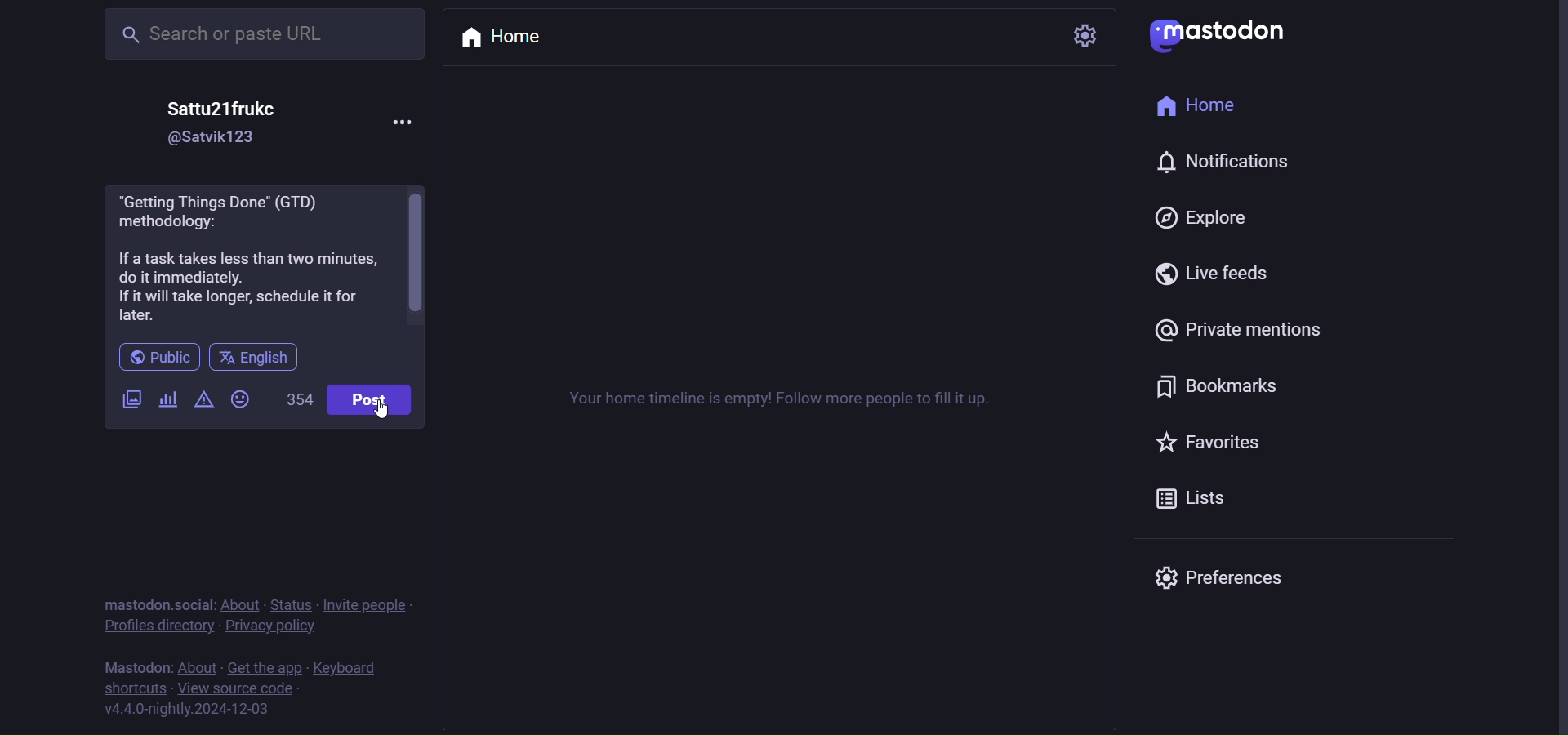 This screenshot has height=735, width=1568. I want to click on mastodon, so click(137, 666).